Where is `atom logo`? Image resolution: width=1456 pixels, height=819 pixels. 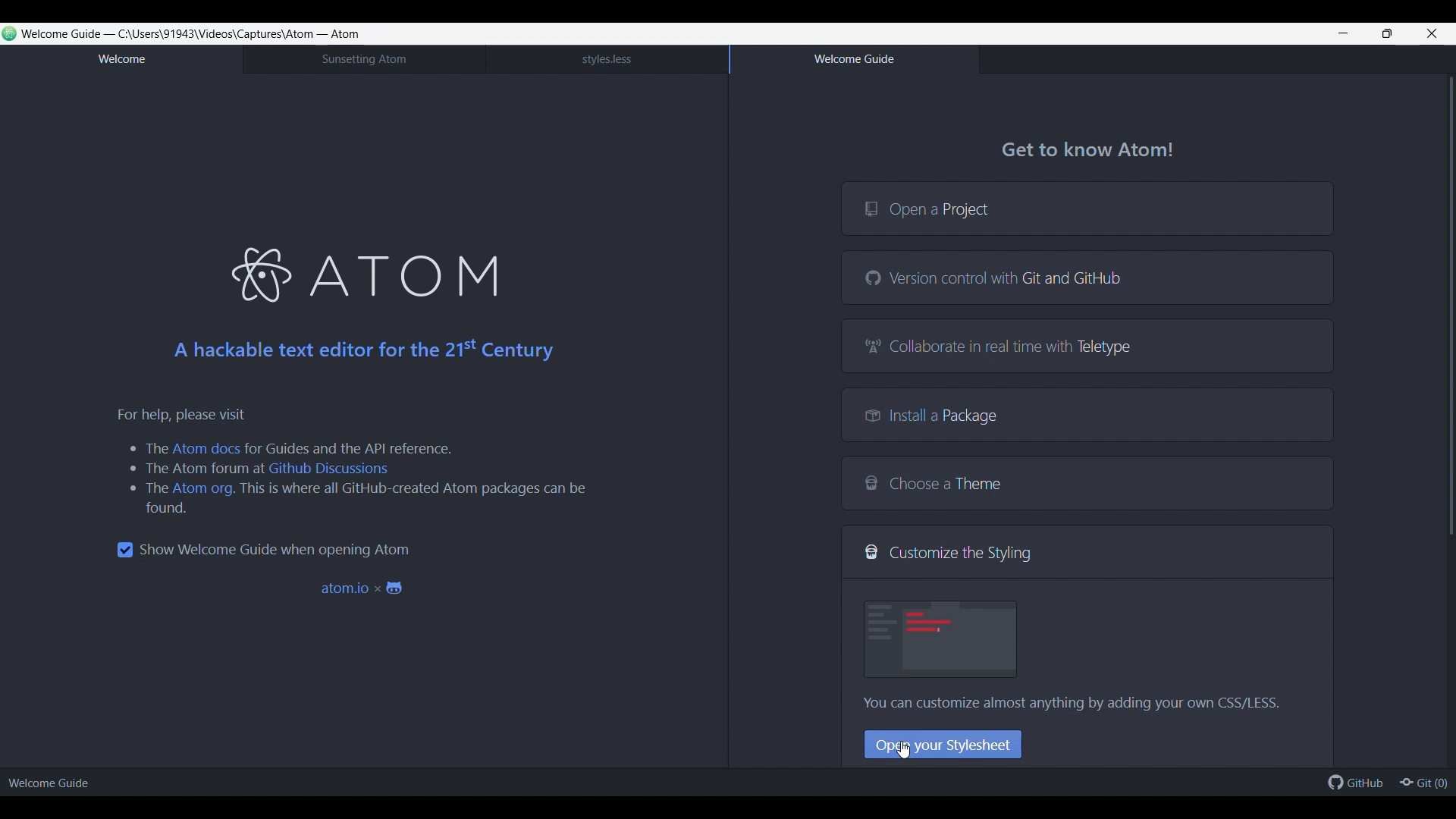
atom logo is located at coordinates (259, 276).